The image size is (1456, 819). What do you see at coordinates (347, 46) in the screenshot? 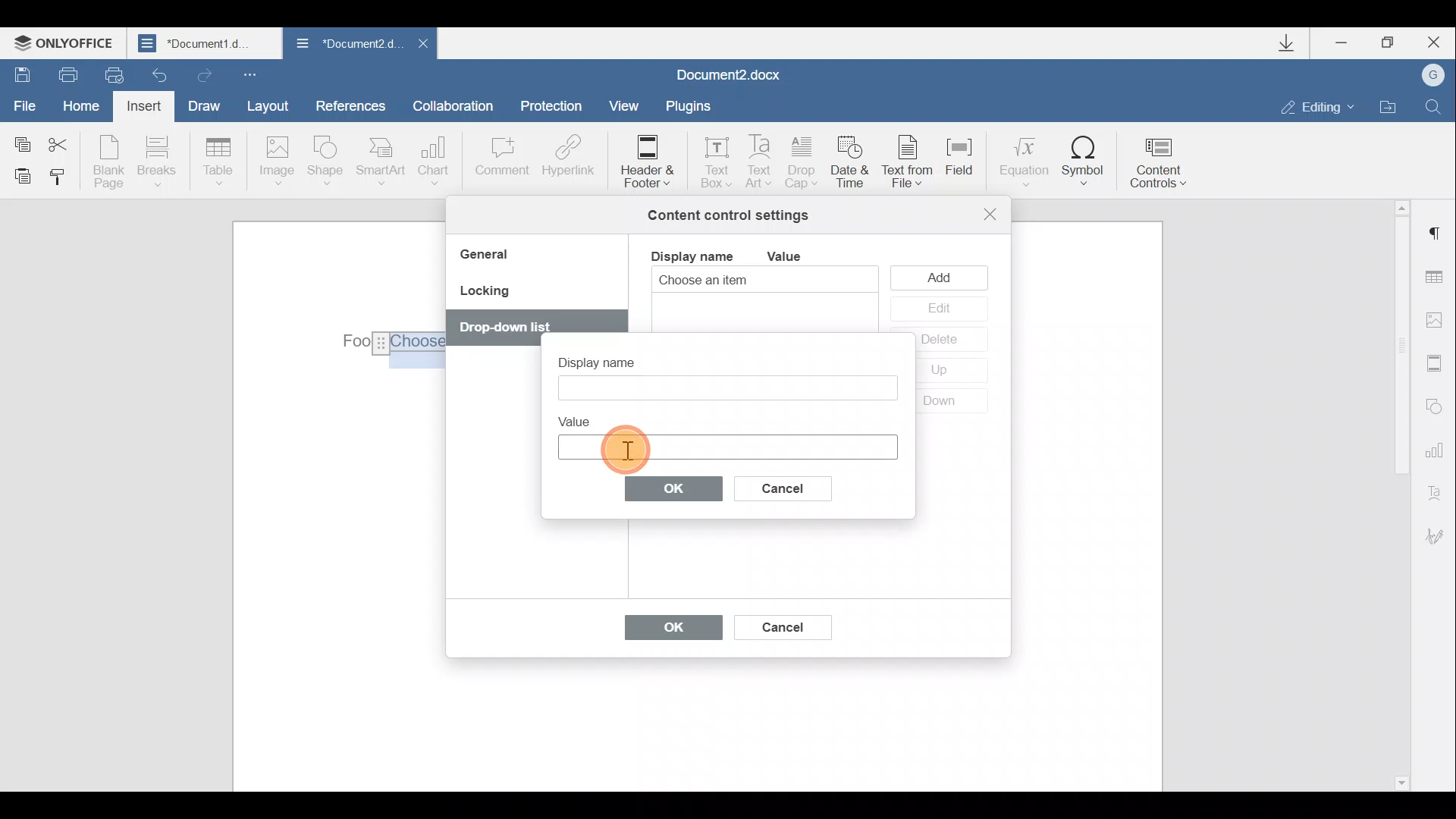
I see `Document2 d..` at bounding box center [347, 46].